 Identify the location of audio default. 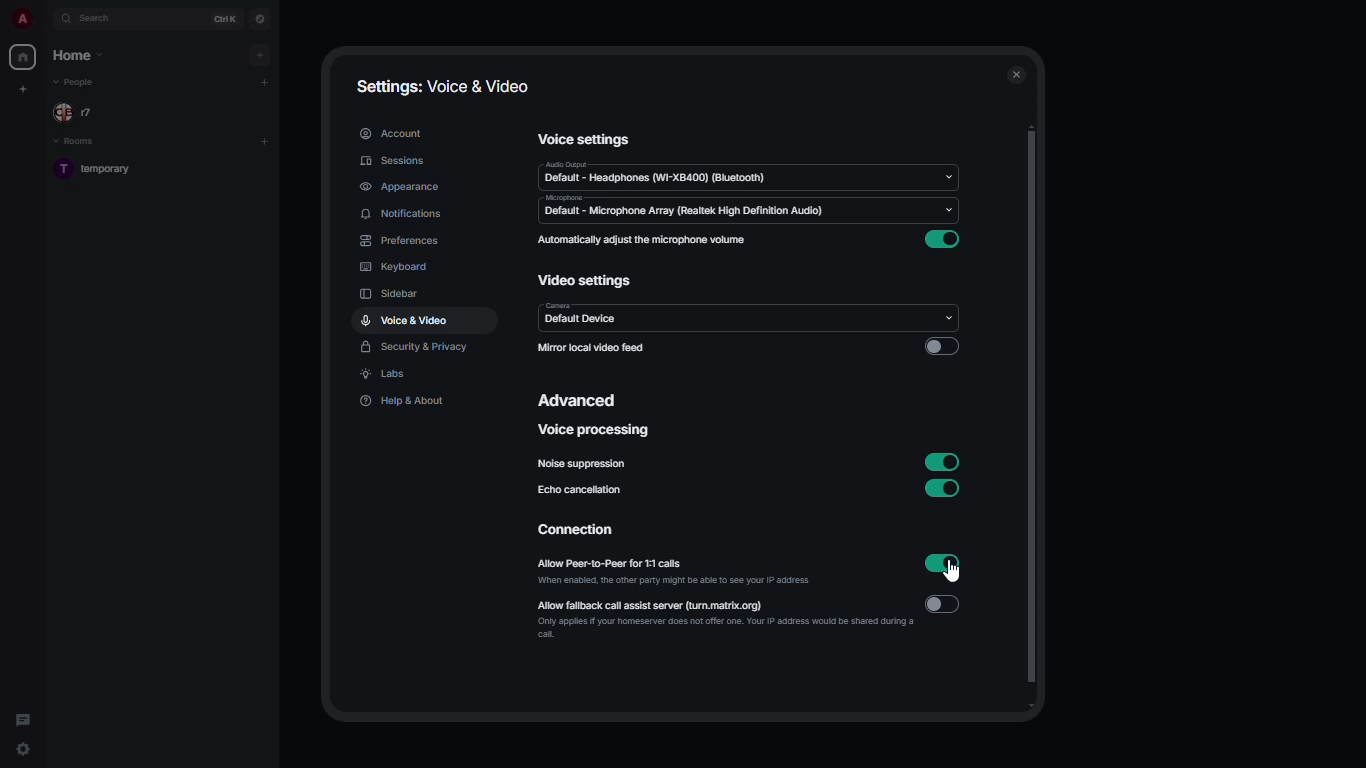
(657, 174).